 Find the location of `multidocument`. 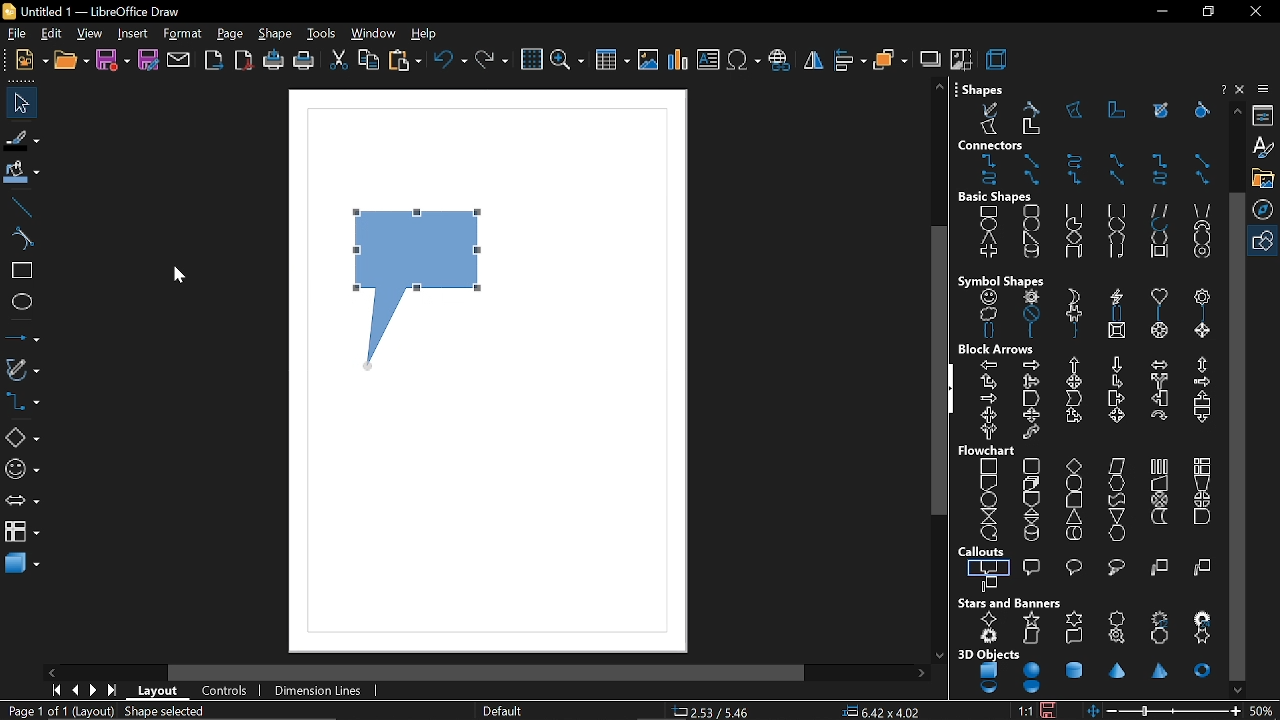

multidocument is located at coordinates (1030, 482).